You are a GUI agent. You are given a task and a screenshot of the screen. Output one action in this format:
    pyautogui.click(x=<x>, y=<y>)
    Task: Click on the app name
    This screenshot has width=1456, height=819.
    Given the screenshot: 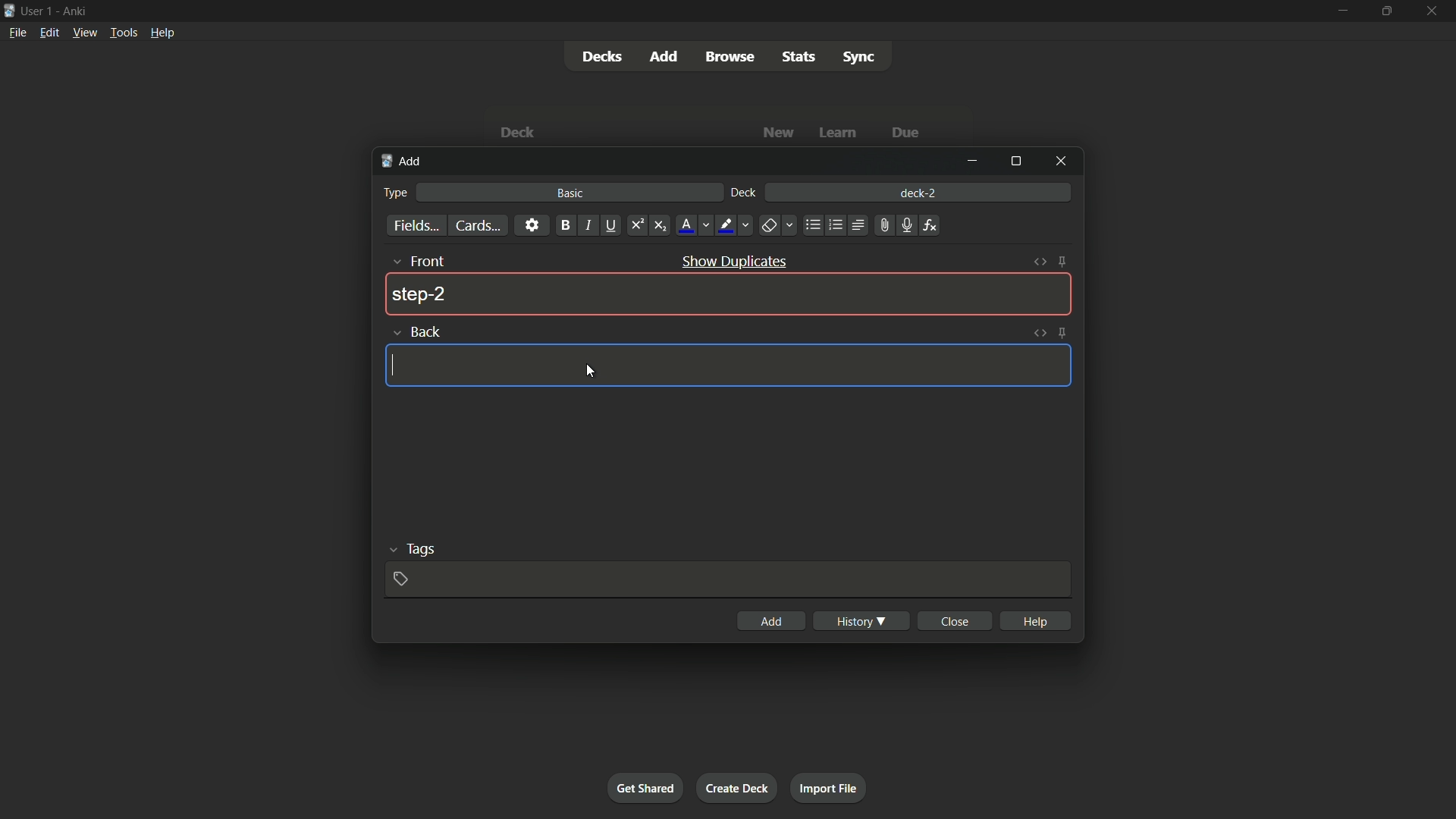 What is the action you would take?
    pyautogui.click(x=75, y=11)
    